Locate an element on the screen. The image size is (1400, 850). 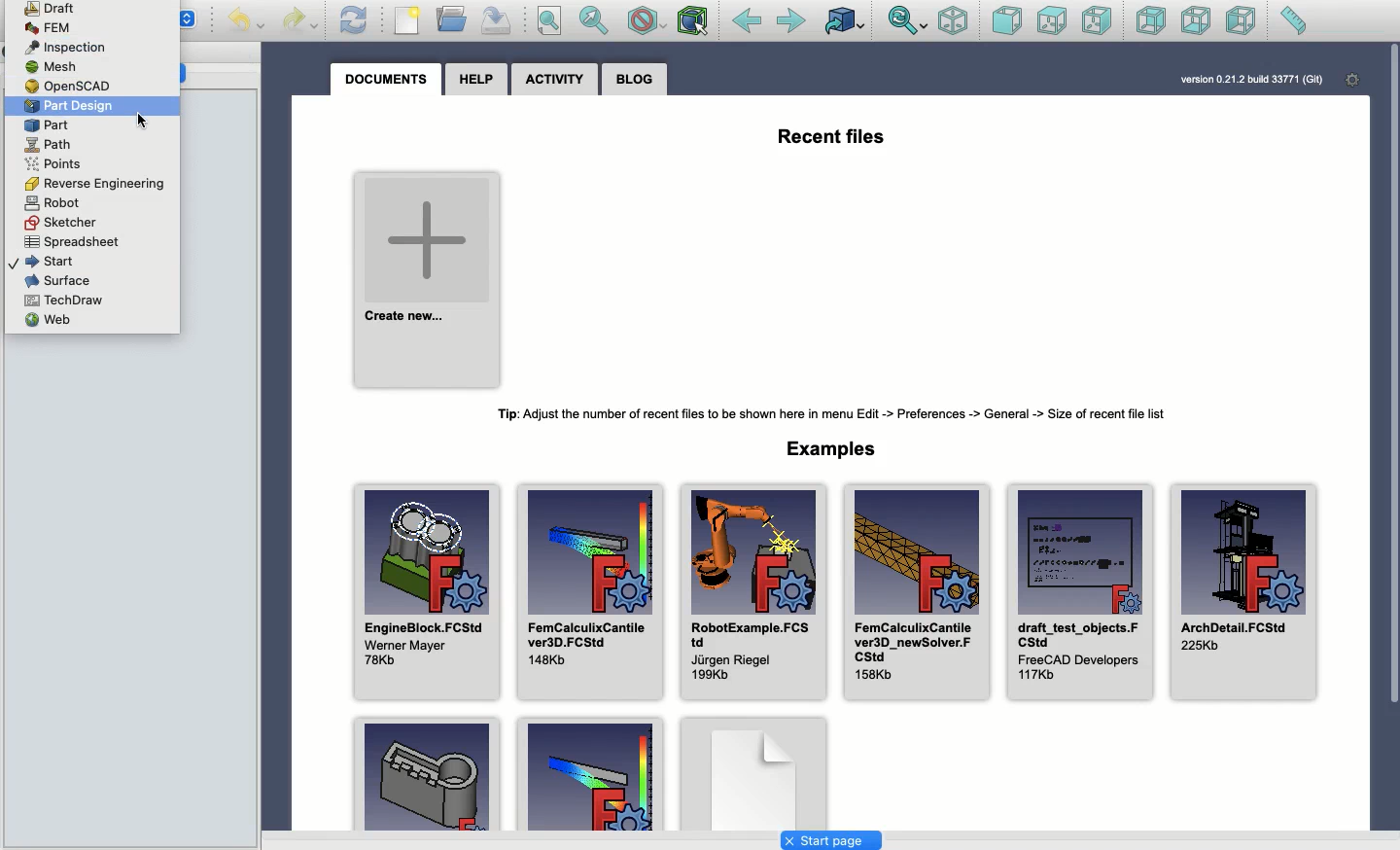
Start is located at coordinates (42, 260).